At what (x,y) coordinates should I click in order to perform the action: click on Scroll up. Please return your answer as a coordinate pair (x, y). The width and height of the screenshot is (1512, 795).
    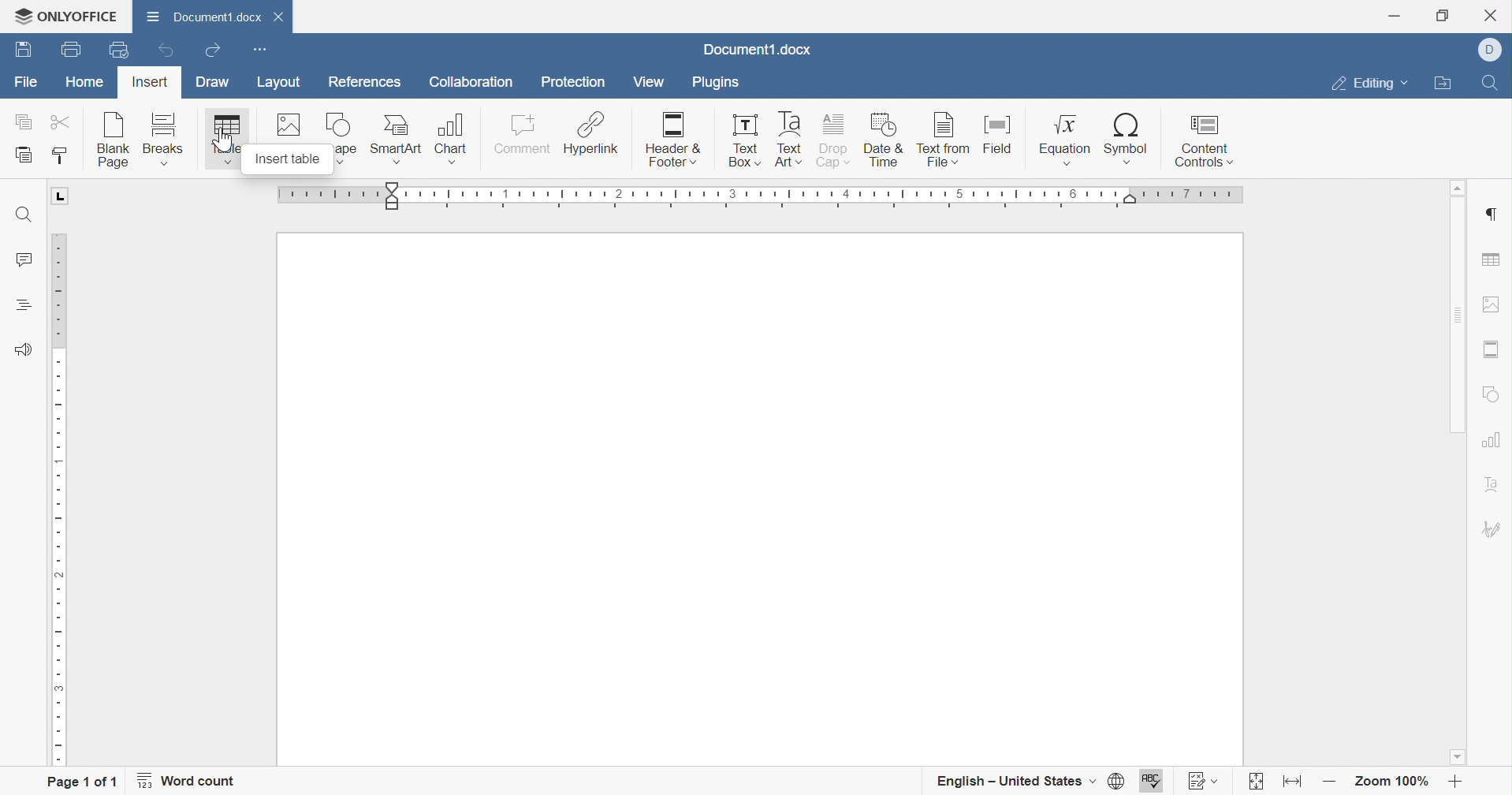
    Looking at the image, I should click on (1456, 188).